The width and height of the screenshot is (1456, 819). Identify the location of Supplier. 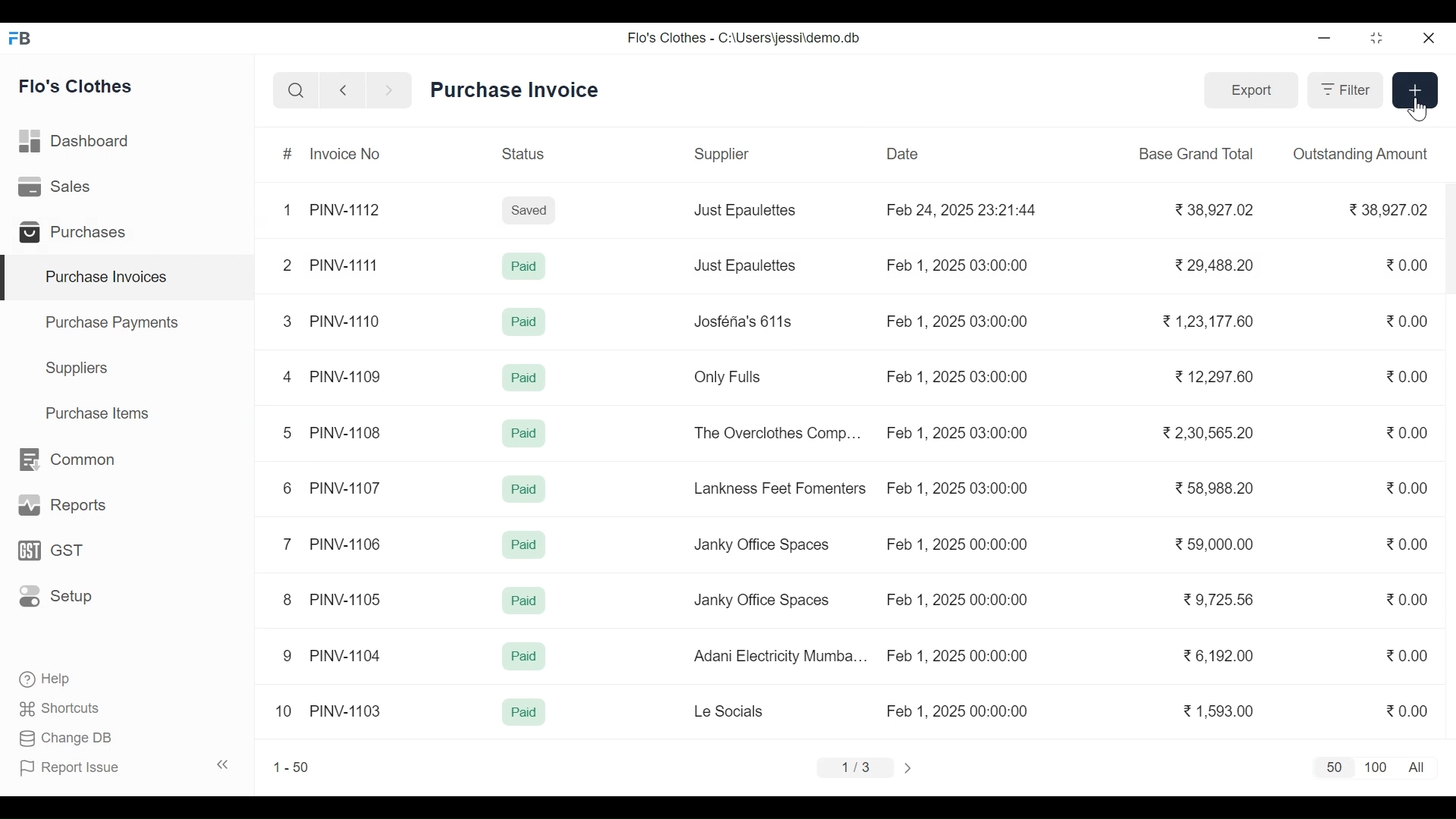
(723, 152).